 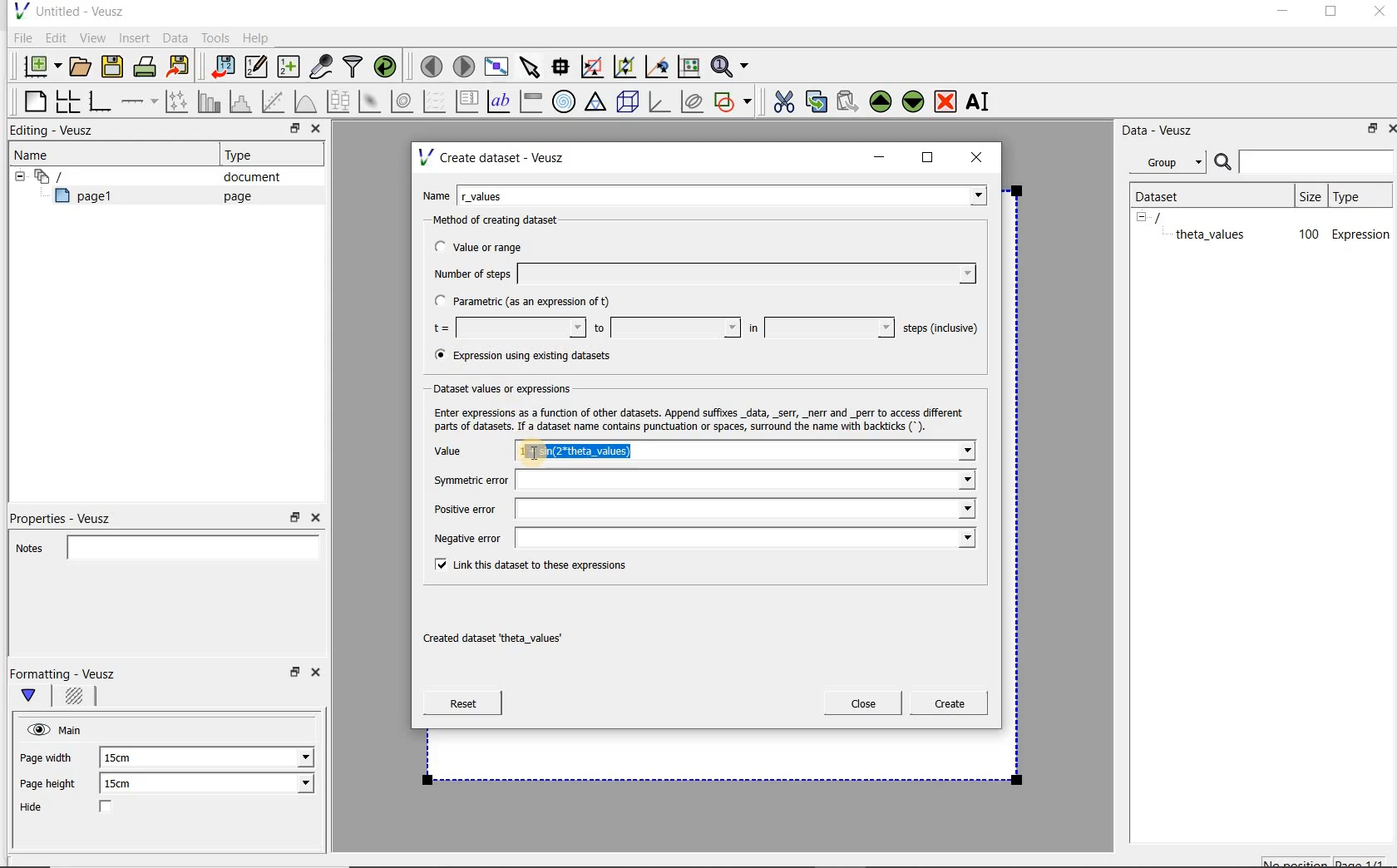 I want to click on page1, so click(x=91, y=199).